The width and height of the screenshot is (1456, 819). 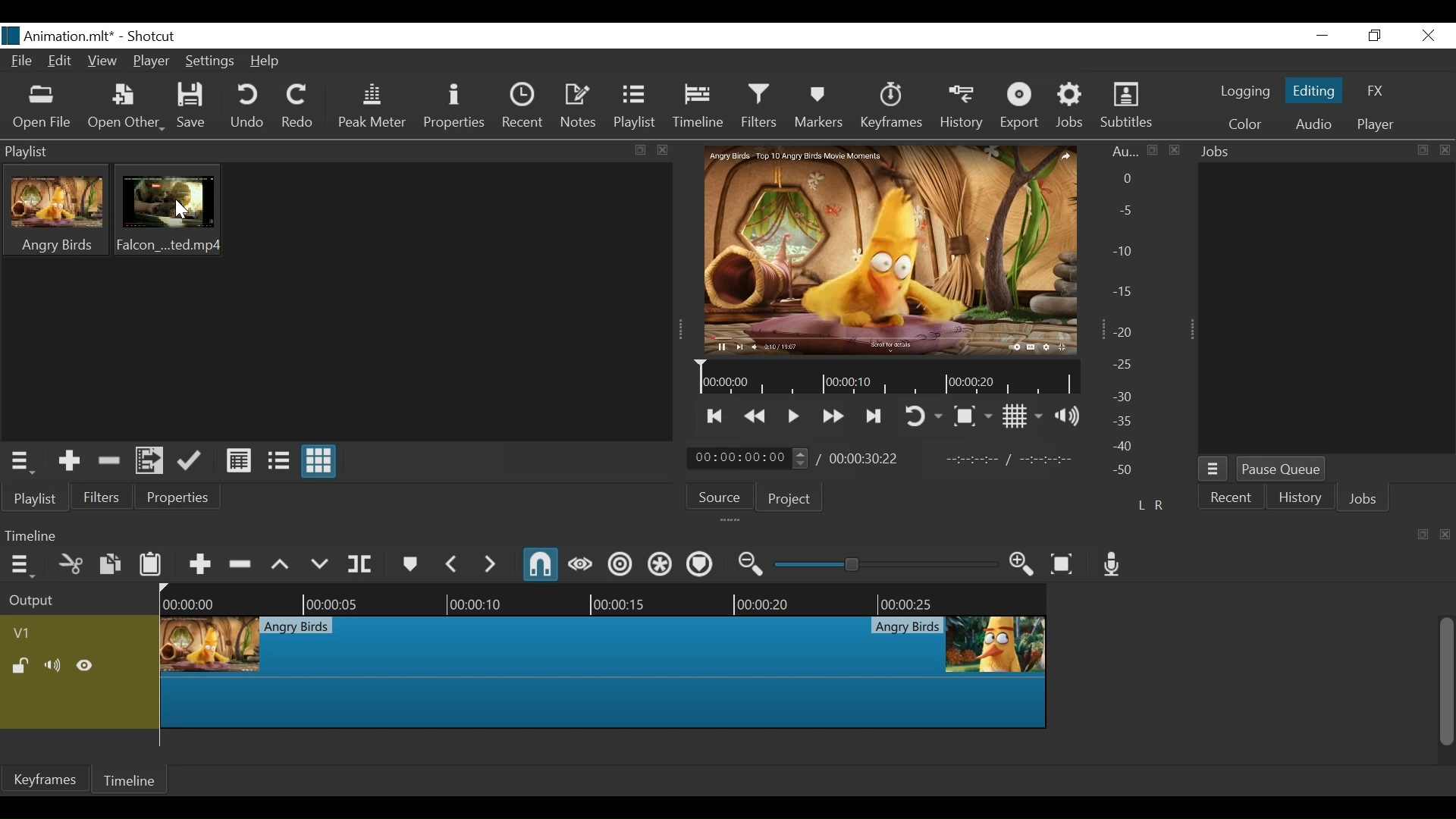 What do you see at coordinates (833, 417) in the screenshot?
I see `Play forward quickly` at bounding box center [833, 417].